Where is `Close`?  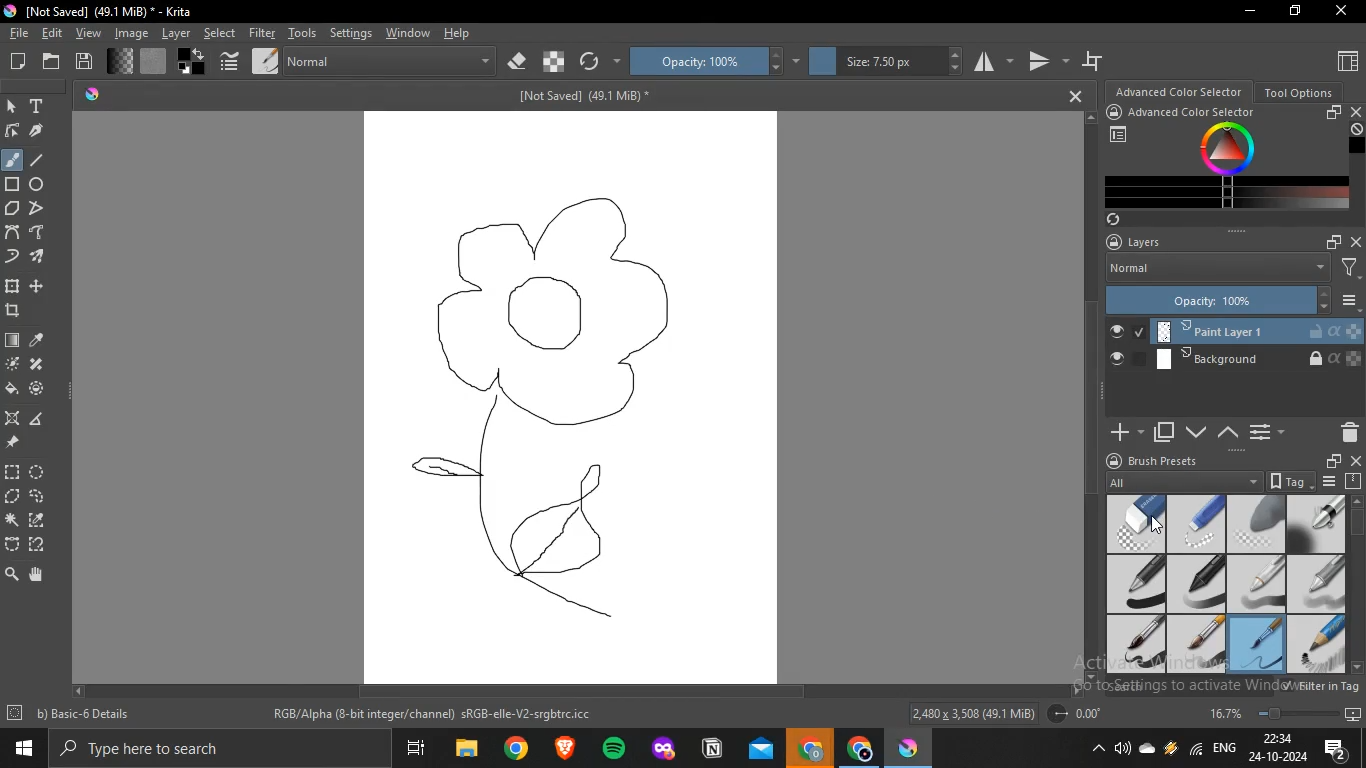 Close is located at coordinates (1342, 10).